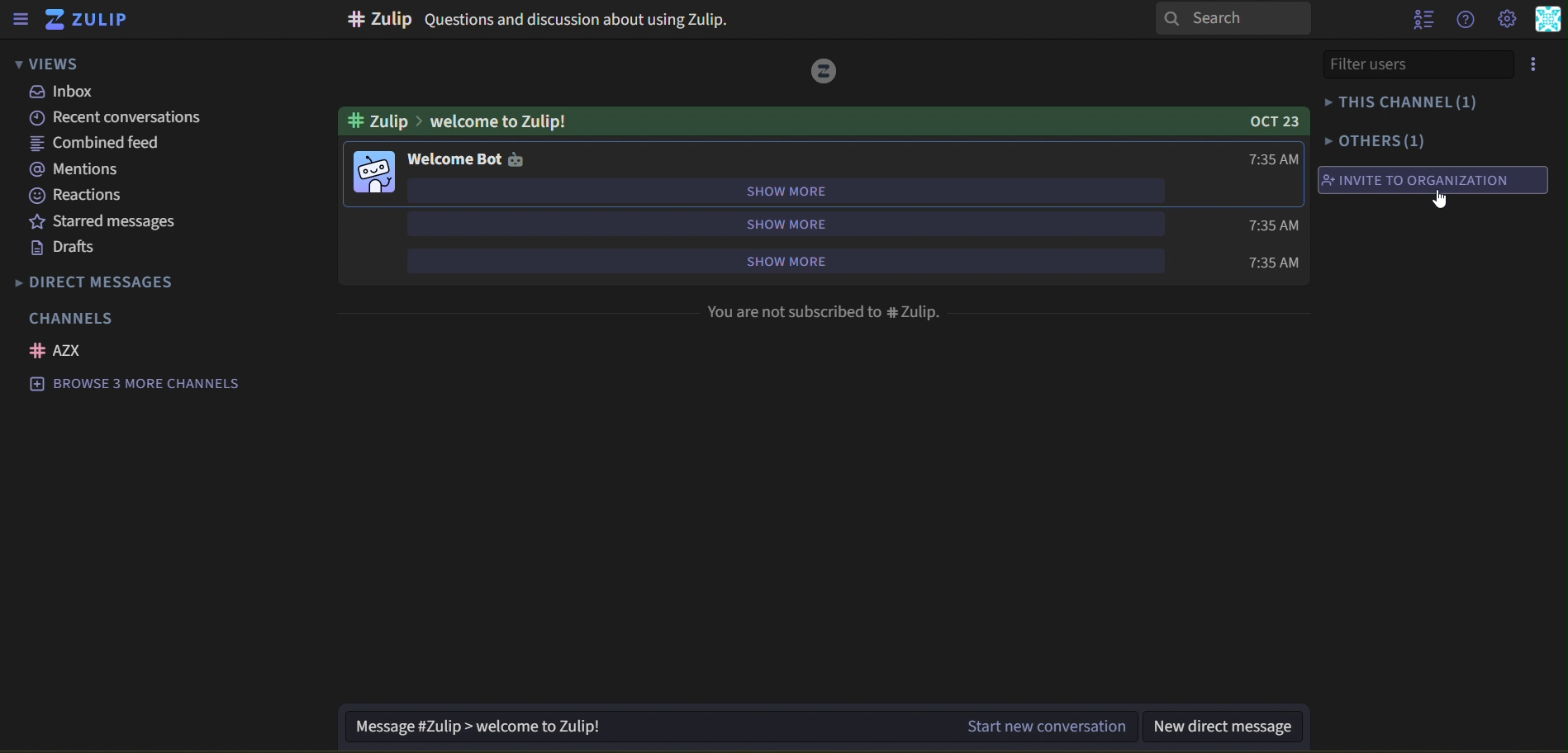 Image resolution: width=1568 pixels, height=753 pixels. I want to click on filter users, so click(1418, 64).